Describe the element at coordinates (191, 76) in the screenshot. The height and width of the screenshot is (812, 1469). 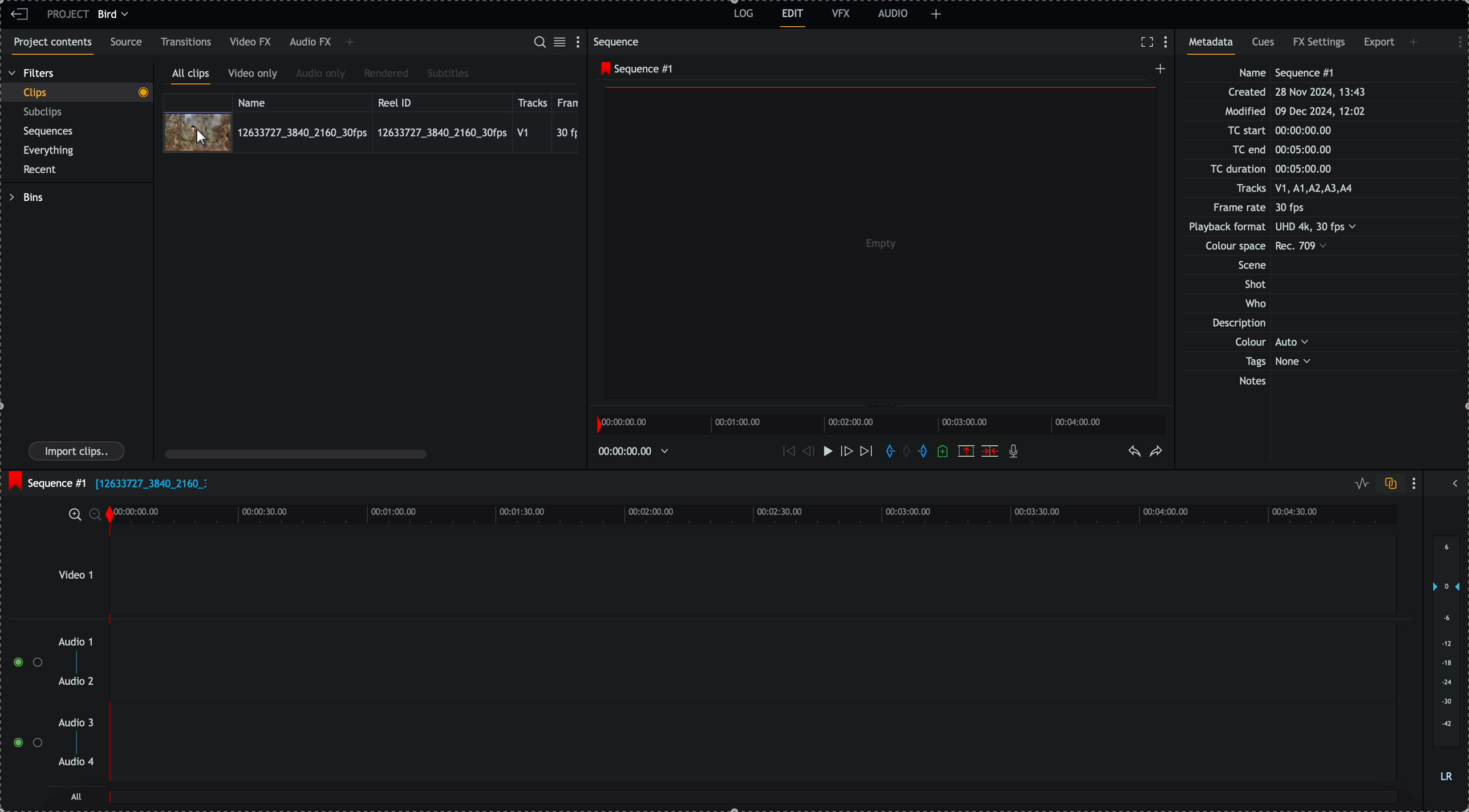
I see `all clips` at that location.